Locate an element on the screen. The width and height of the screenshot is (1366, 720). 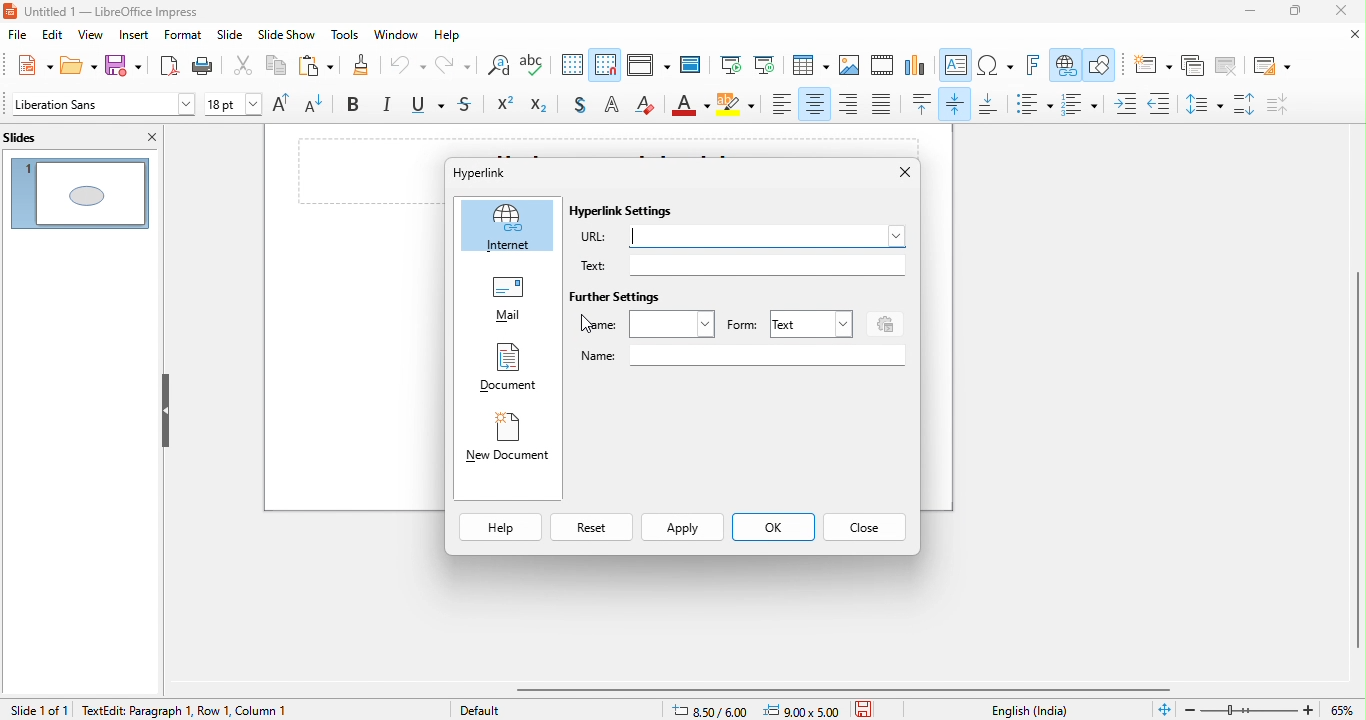
character highlight color is located at coordinates (738, 107).